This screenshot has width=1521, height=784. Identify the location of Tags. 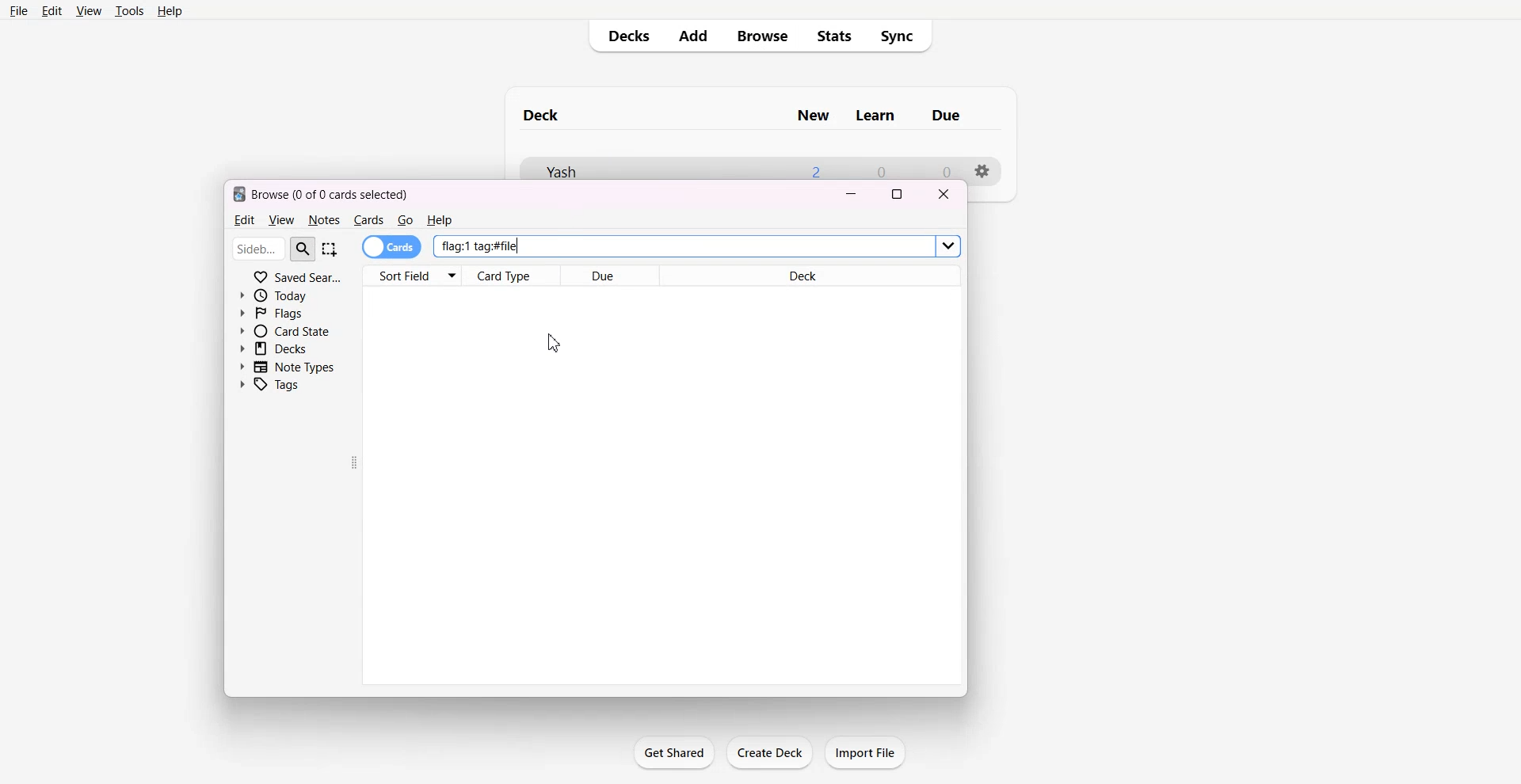
(276, 384).